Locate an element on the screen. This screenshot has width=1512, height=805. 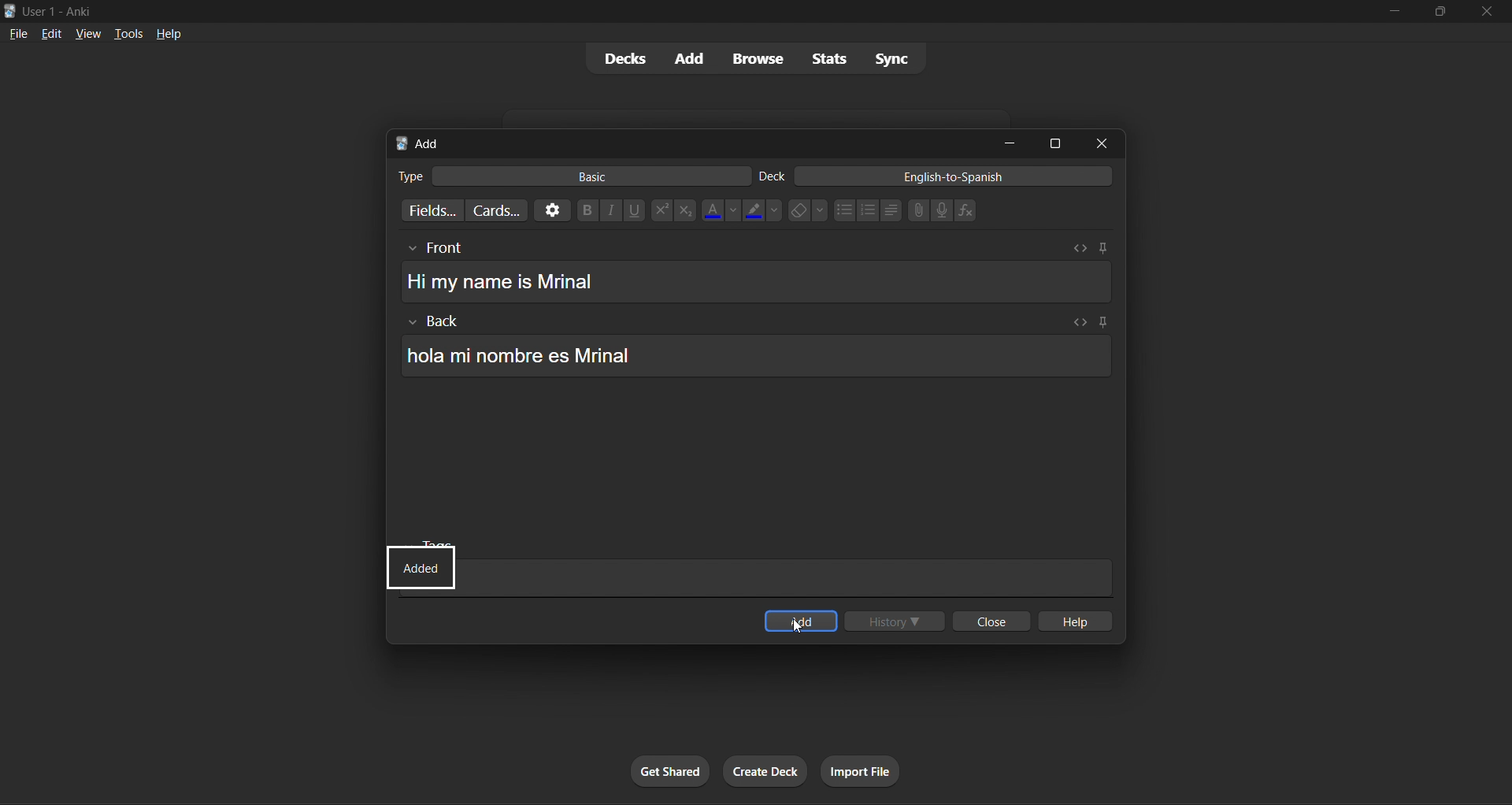
customize card templates is located at coordinates (498, 208).